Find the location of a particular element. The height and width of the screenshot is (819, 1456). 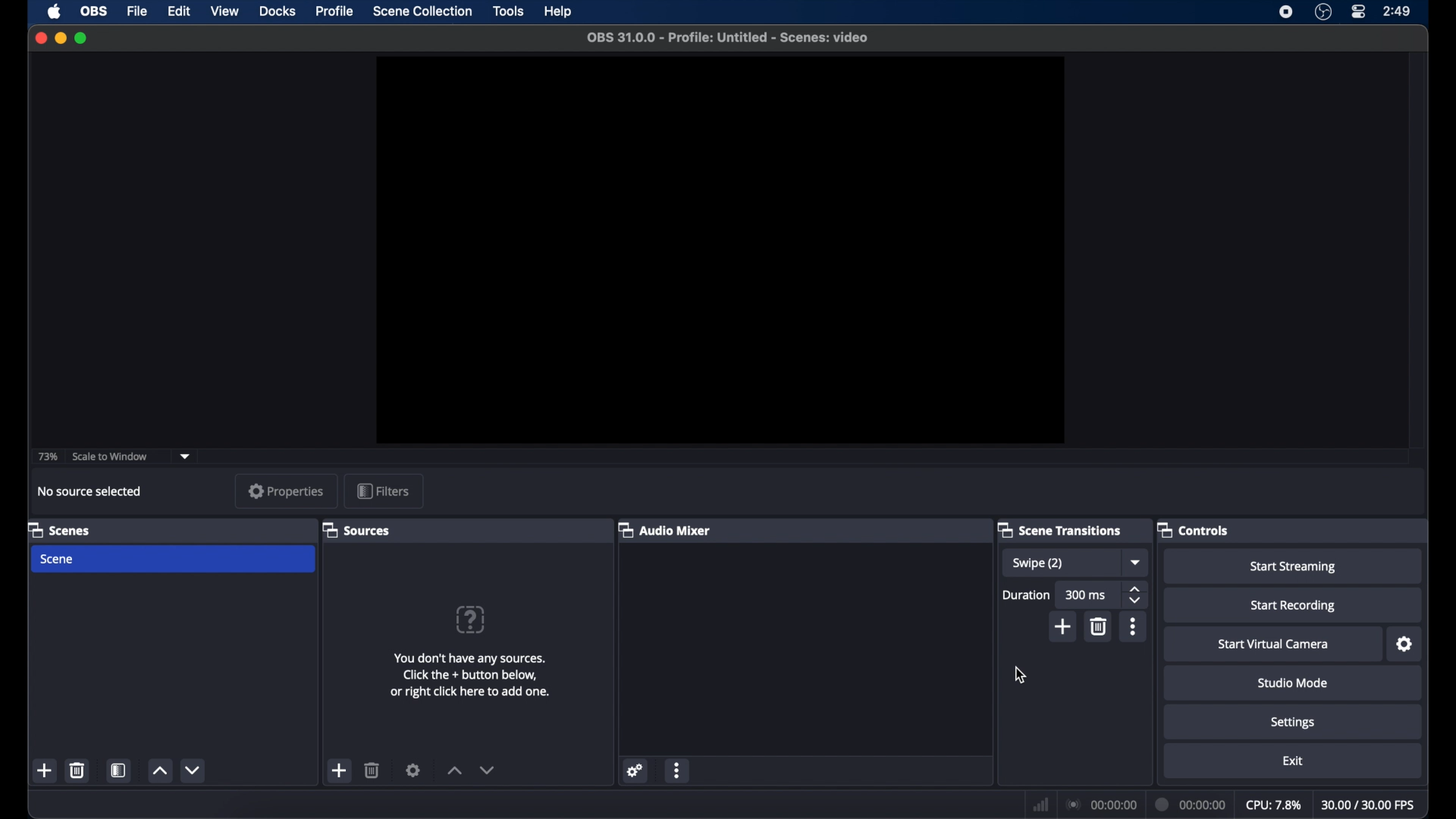

apple icon is located at coordinates (54, 12).